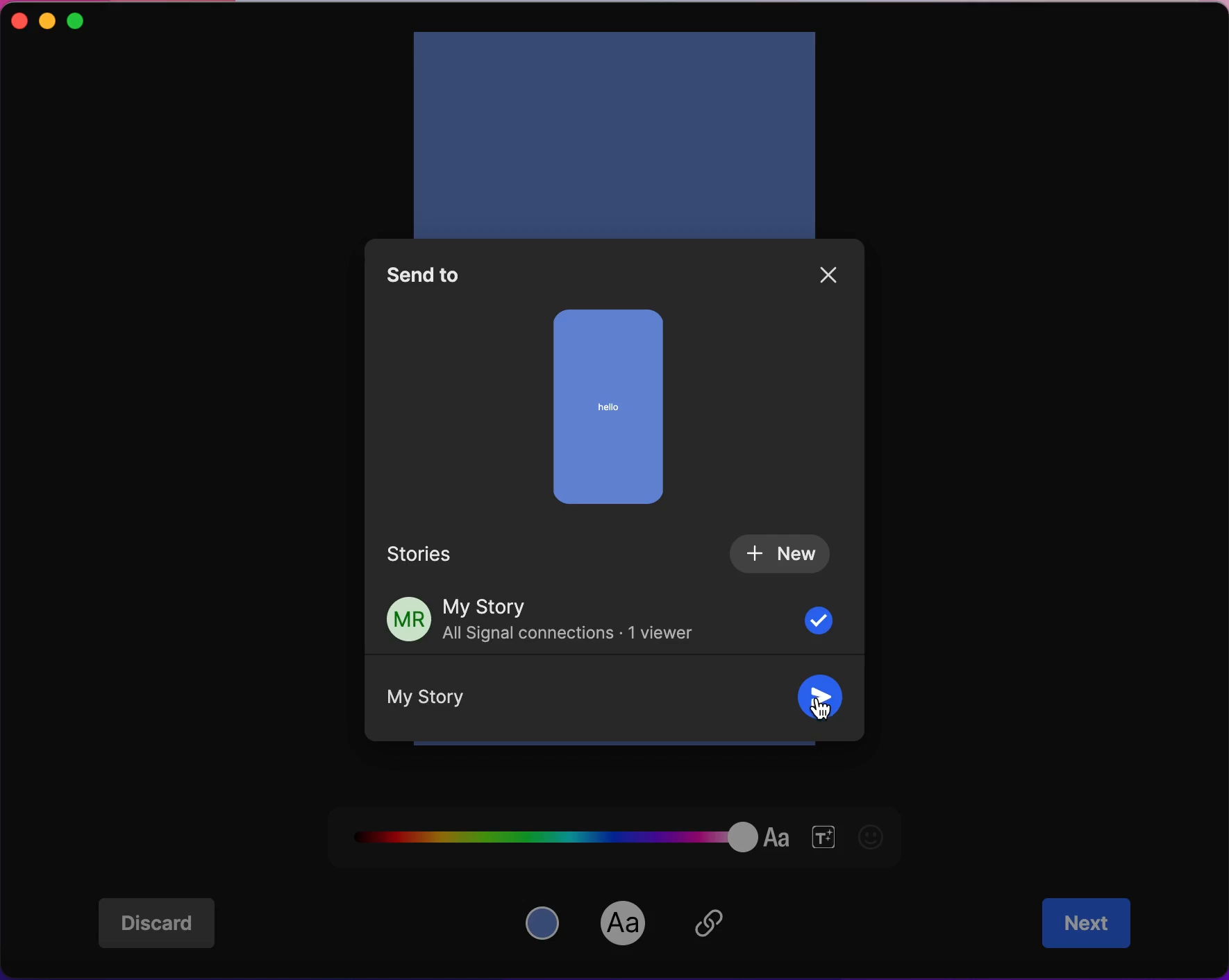  Describe the element at coordinates (406, 621) in the screenshot. I see `profile picture` at that location.